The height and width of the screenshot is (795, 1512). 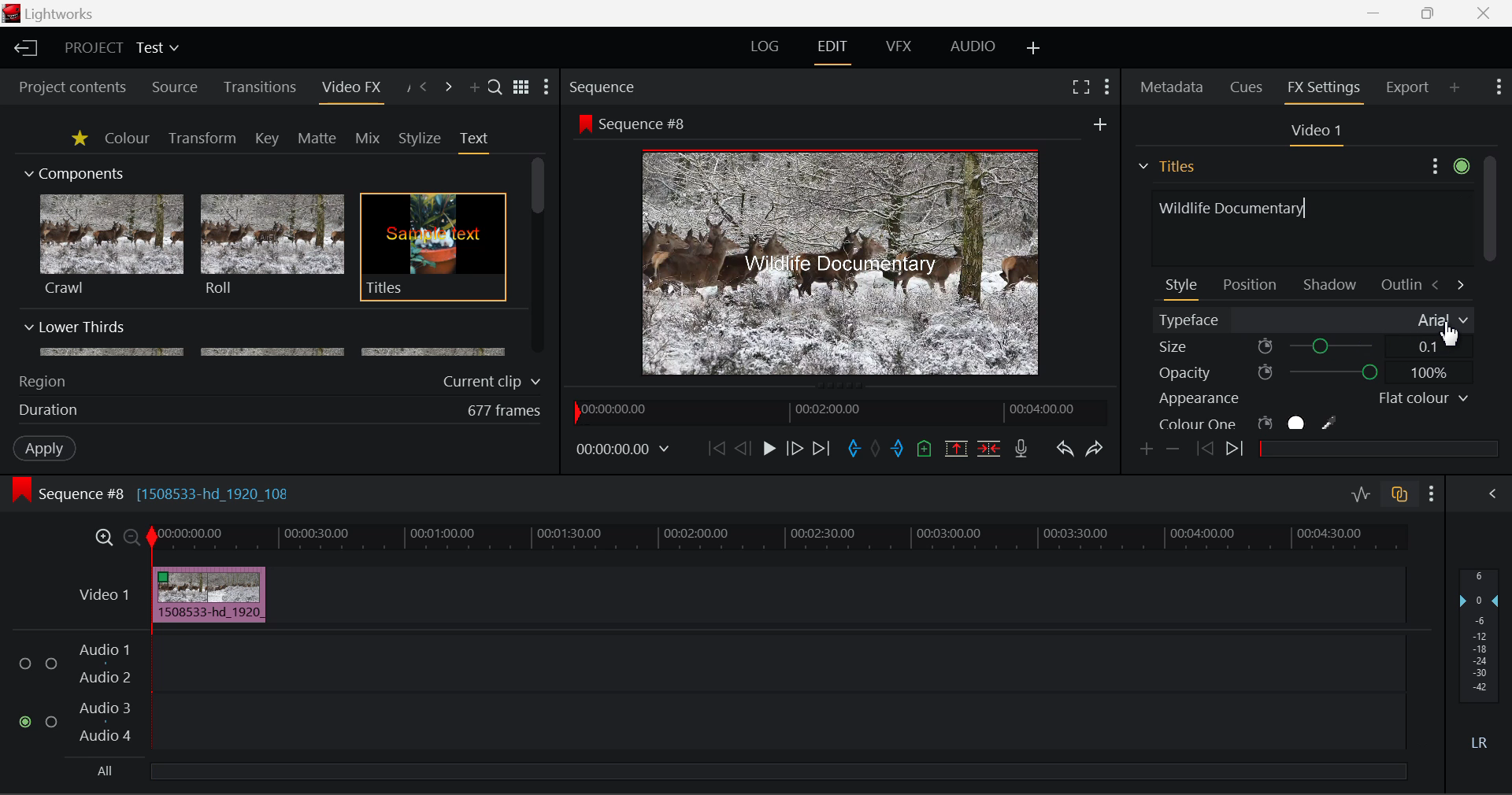 What do you see at coordinates (602, 86) in the screenshot?
I see `Sequence` at bounding box center [602, 86].